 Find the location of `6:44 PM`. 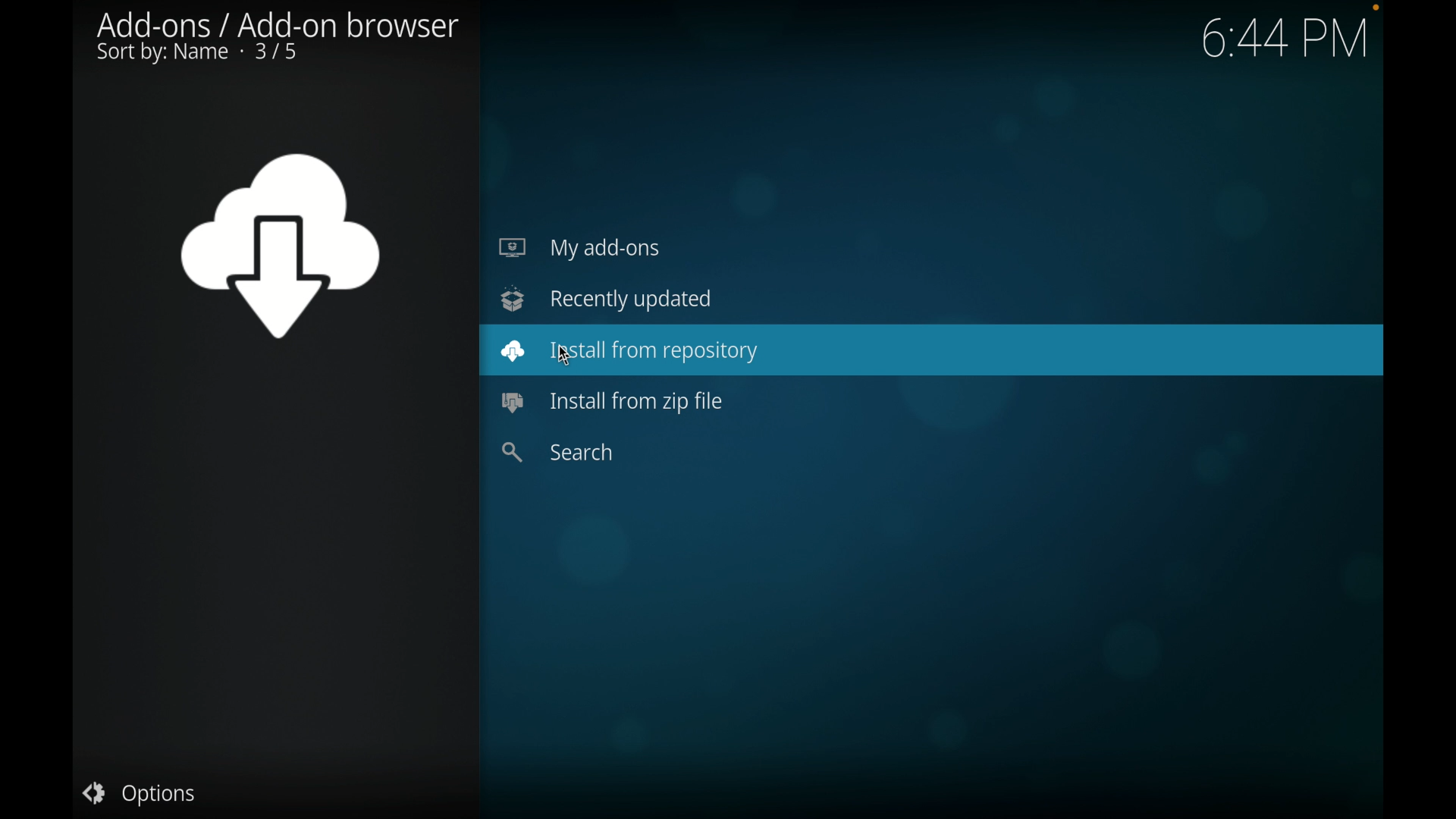

6:44 PM is located at coordinates (1280, 37).